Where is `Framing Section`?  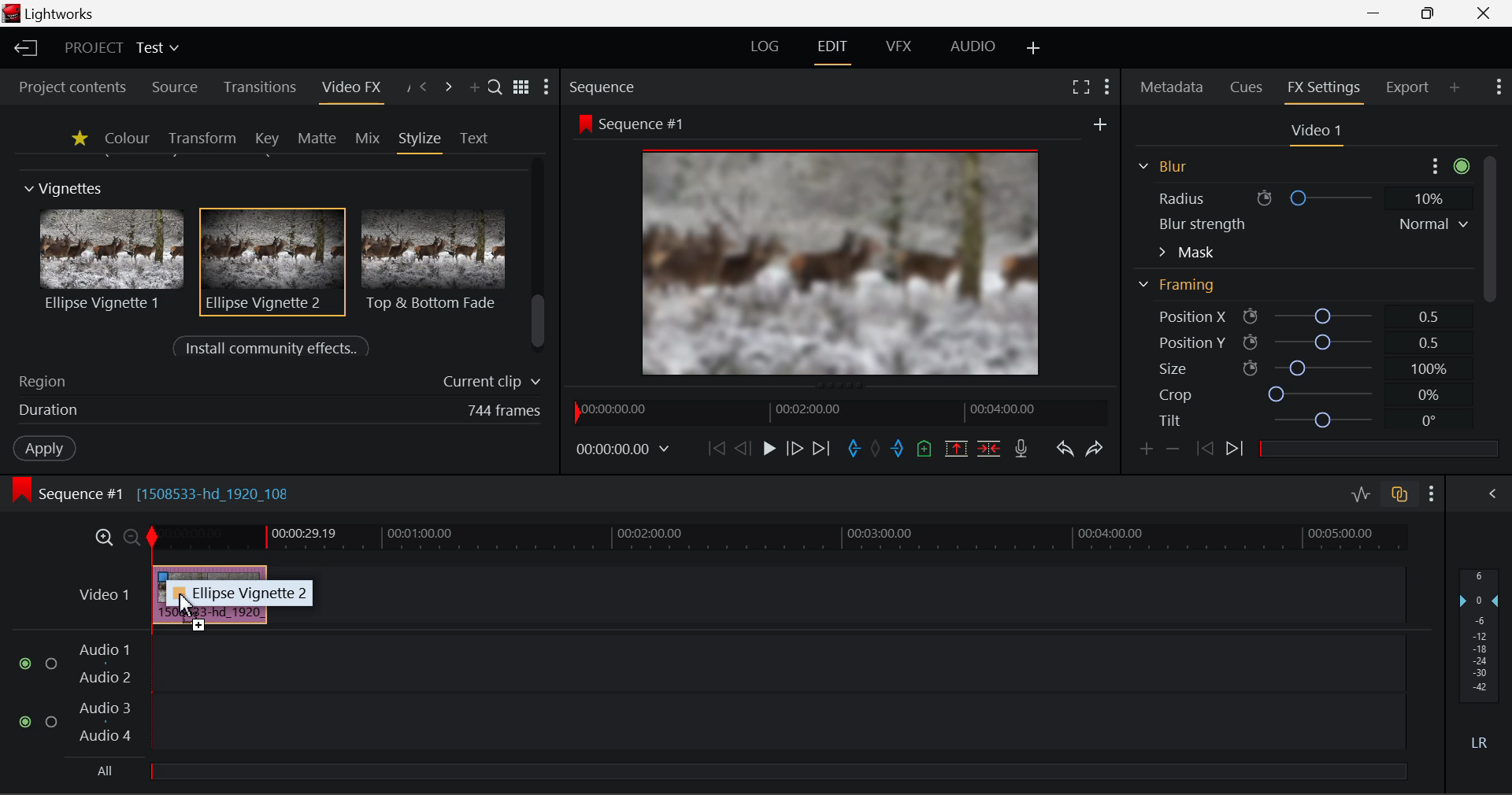 Framing Section is located at coordinates (1182, 290).